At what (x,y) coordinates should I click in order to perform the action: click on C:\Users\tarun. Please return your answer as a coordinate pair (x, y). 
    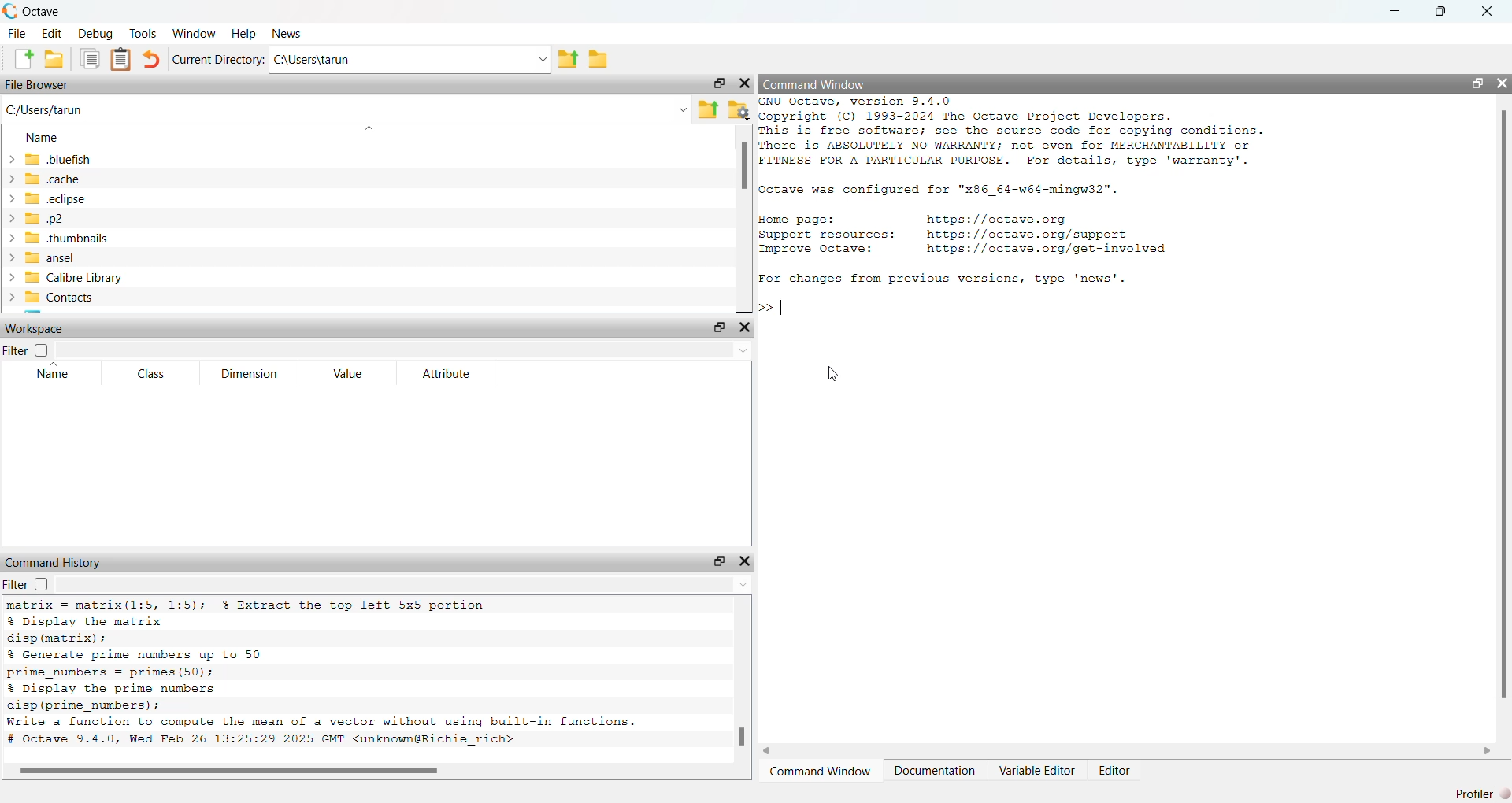
    Looking at the image, I should click on (315, 60).